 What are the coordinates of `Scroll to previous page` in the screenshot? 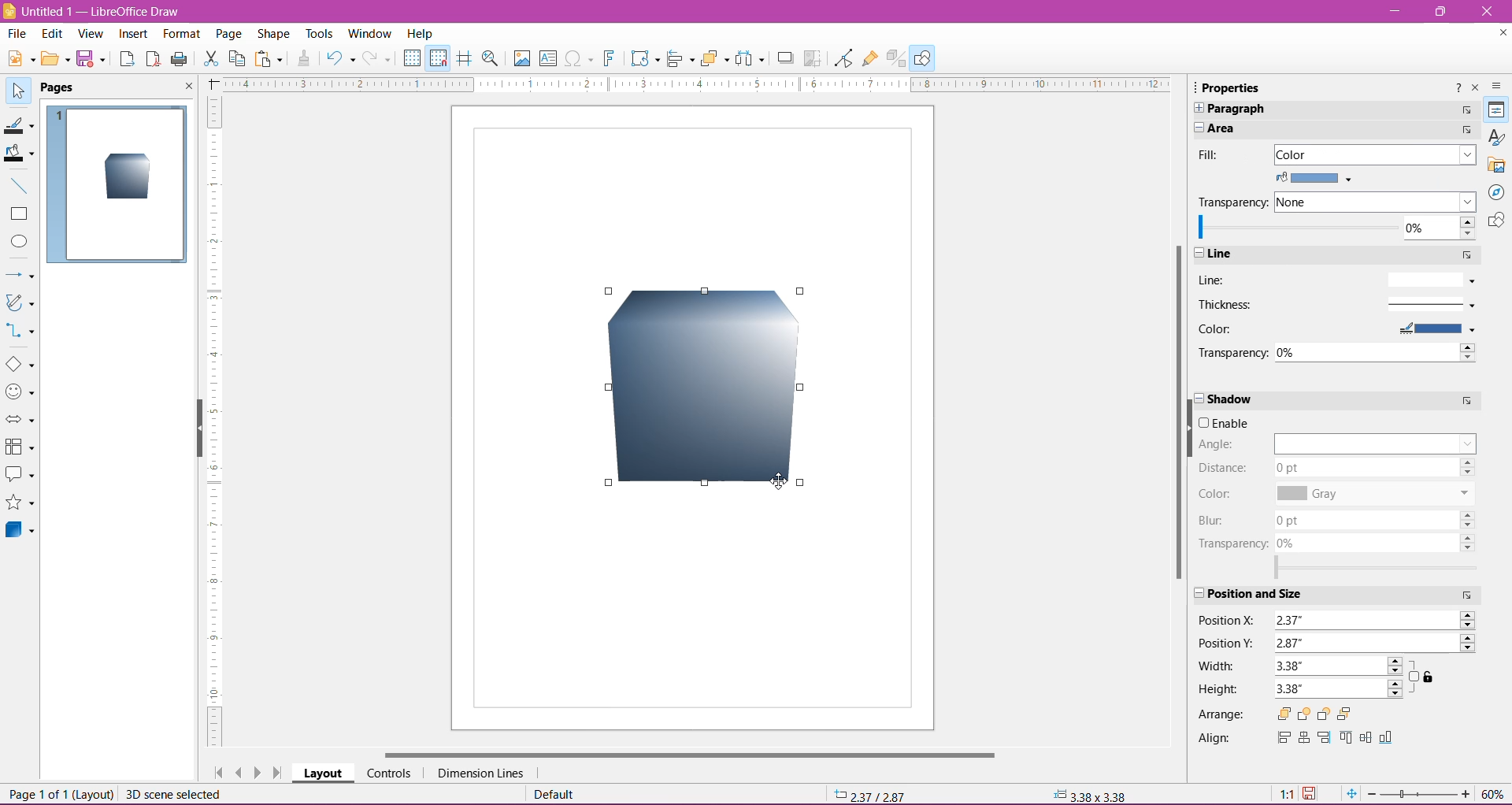 It's located at (239, 772).